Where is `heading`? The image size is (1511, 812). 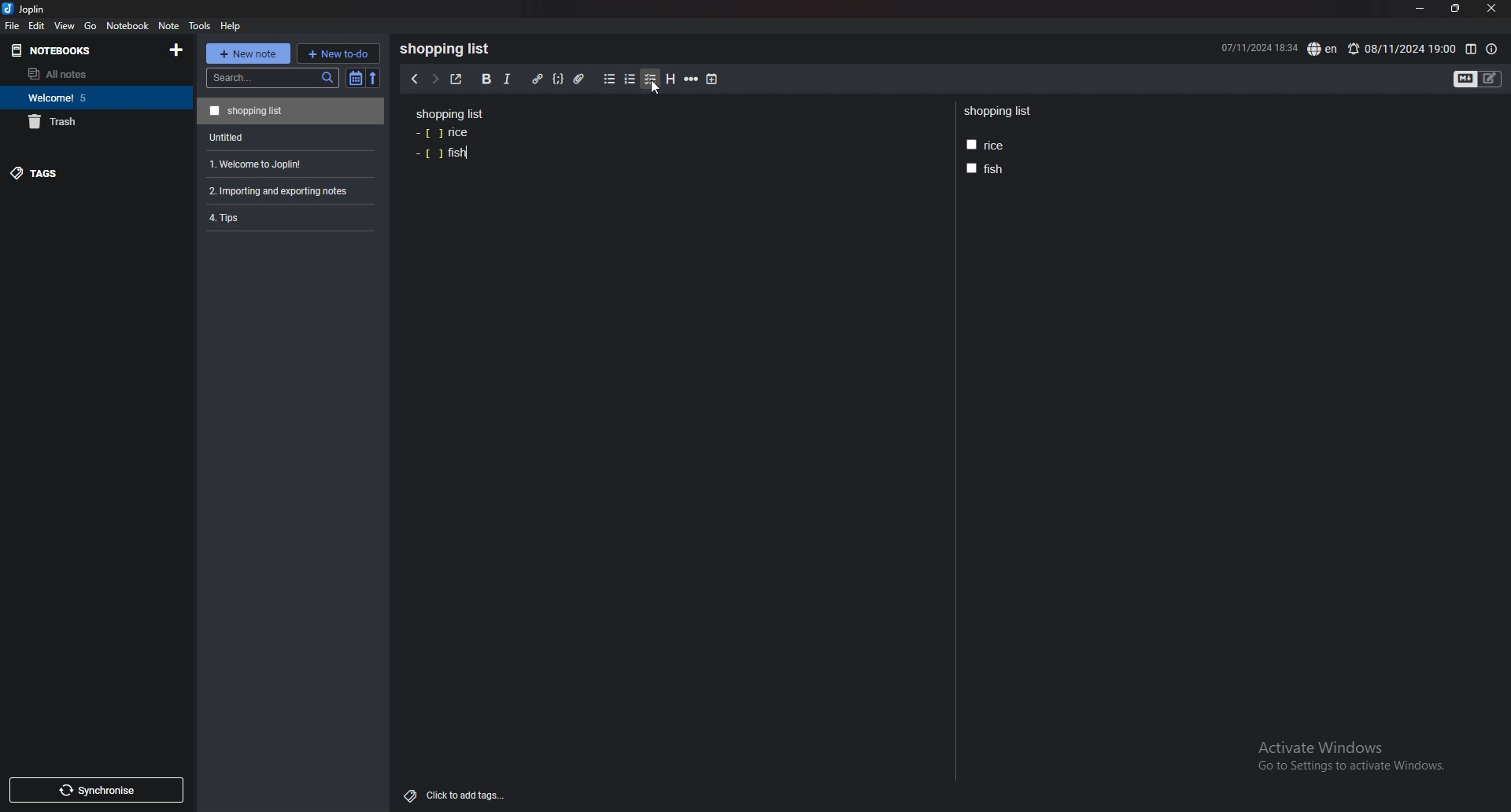
heading is located at coordinates (671, 79).